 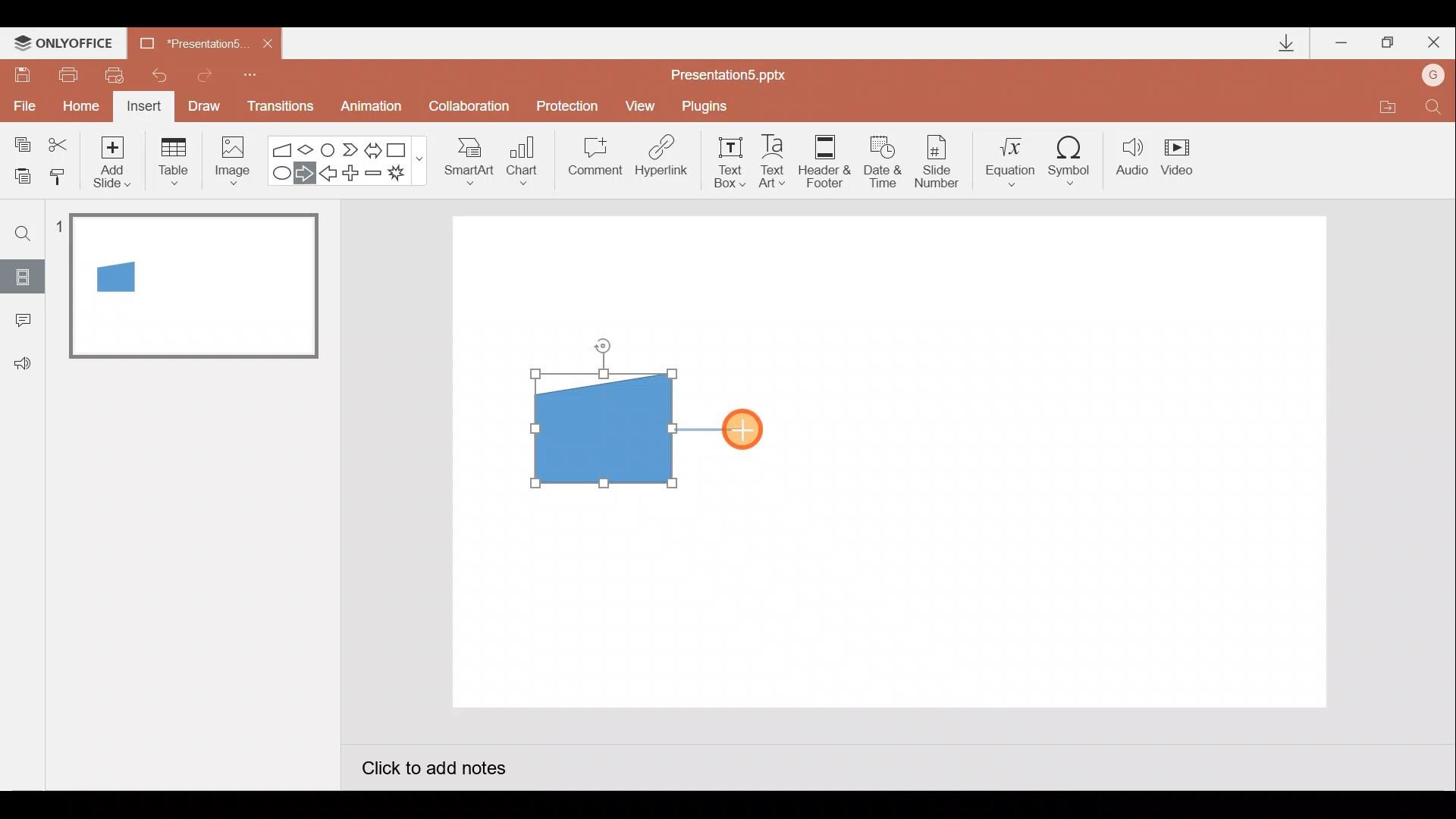 What do you see at coordinates (463, 160) in the screenshot?
I see `SmartArt` at bounding box center [463, 160].